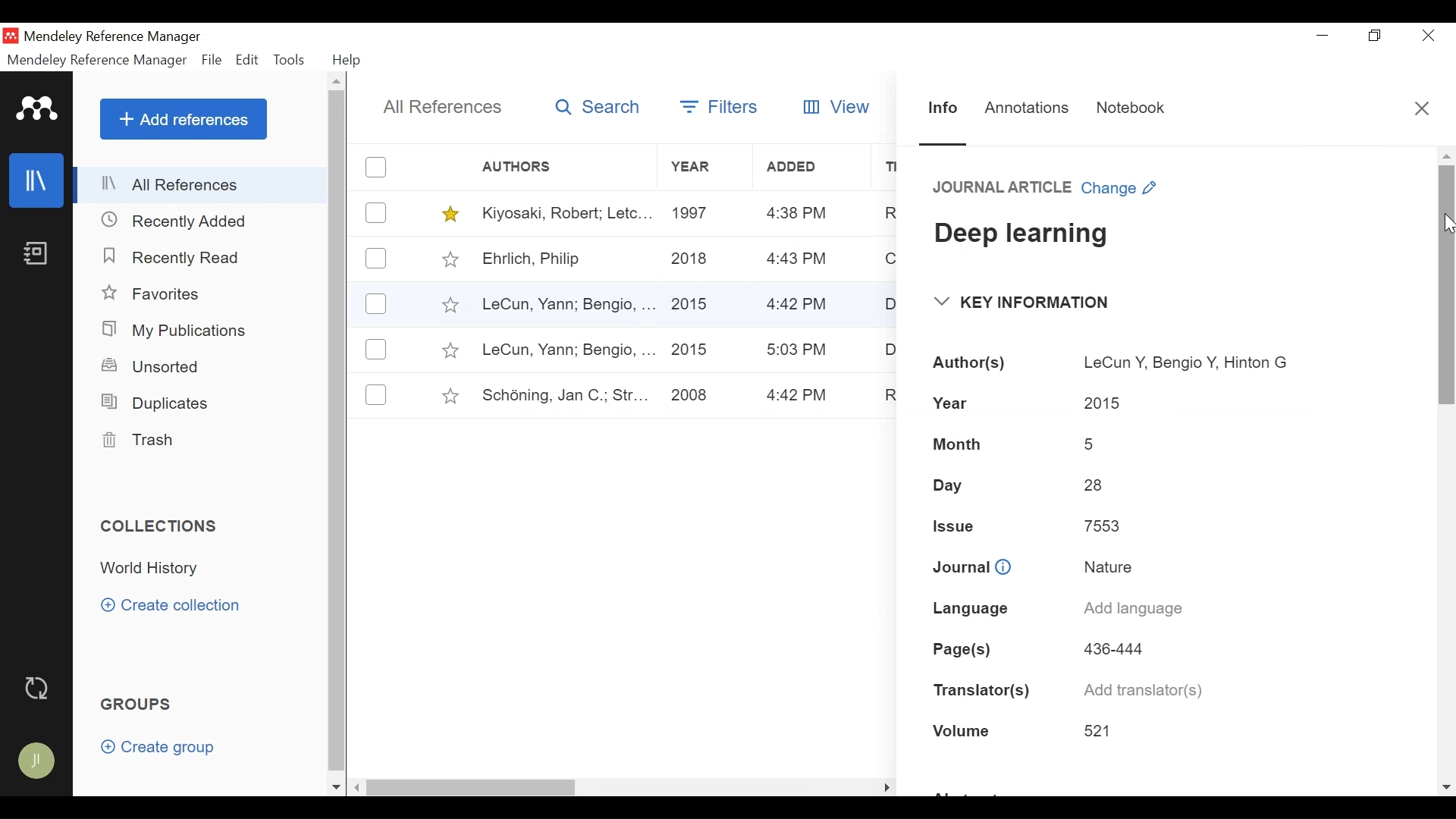  I want to click on Scroll up, so click(338, 83).